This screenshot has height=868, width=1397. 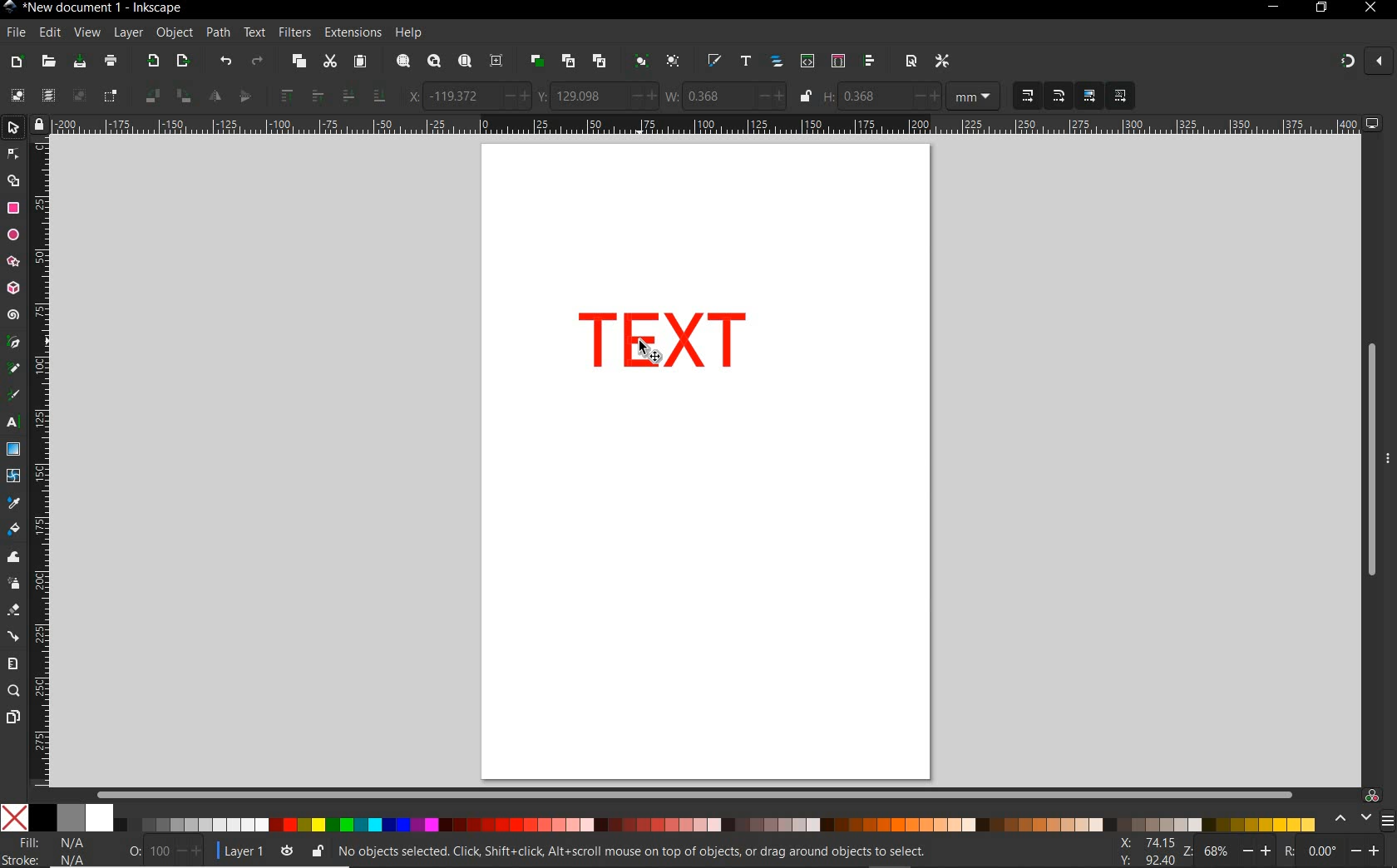 What do you see at coordinates (837, 61) in the screenshot?
I see `OPEN SELECTORS` at bounding box center [837, 61].